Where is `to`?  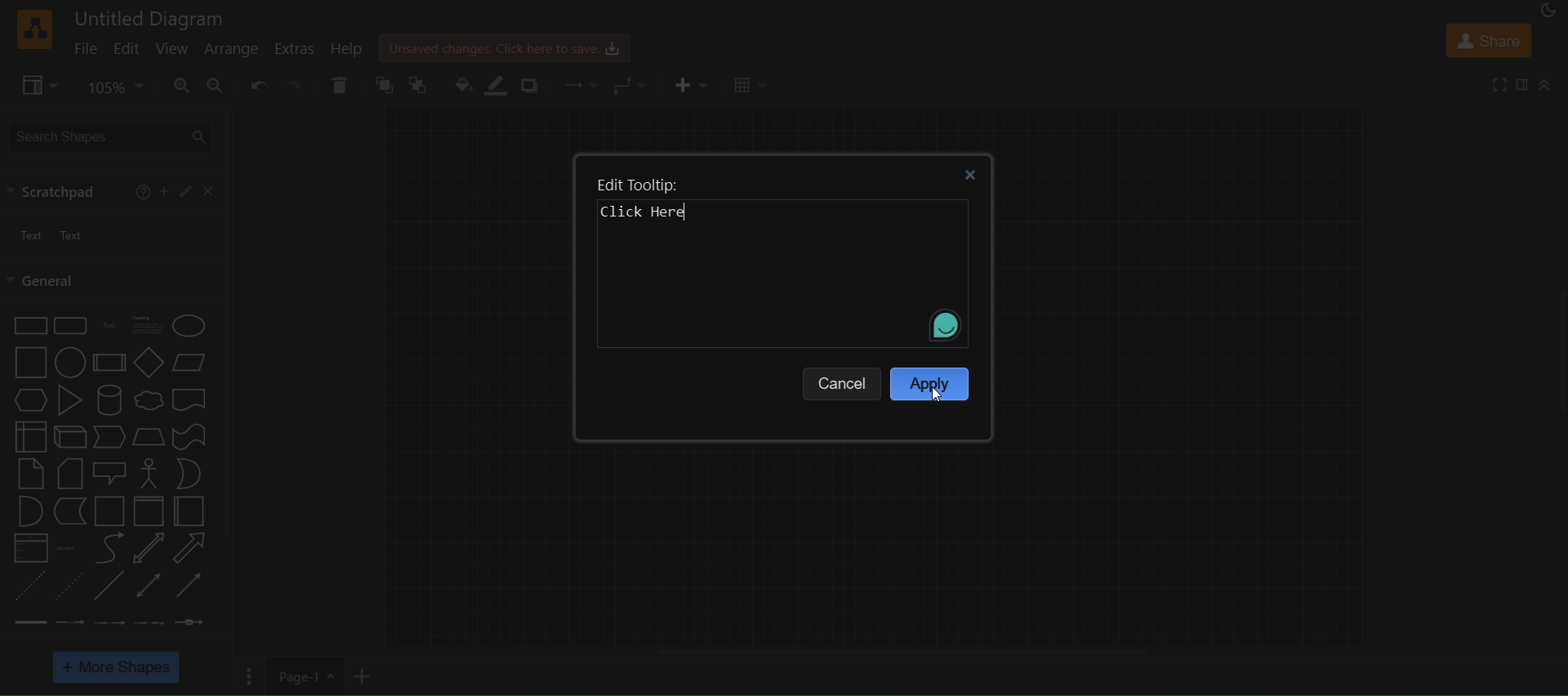 to is located at coordinates (419, 86).